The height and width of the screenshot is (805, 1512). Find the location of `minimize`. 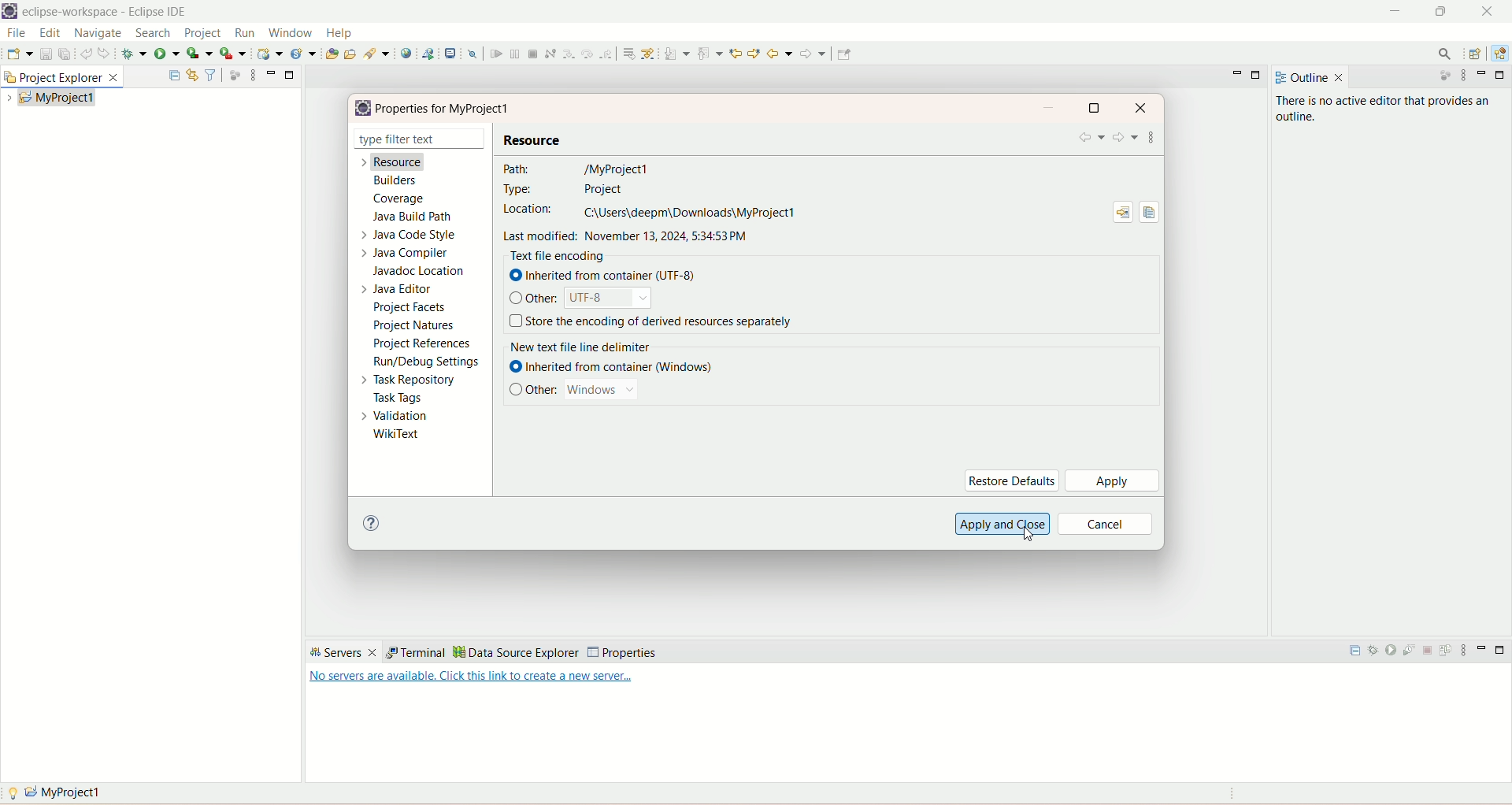

minimize is located at coordinates (1397, 10).